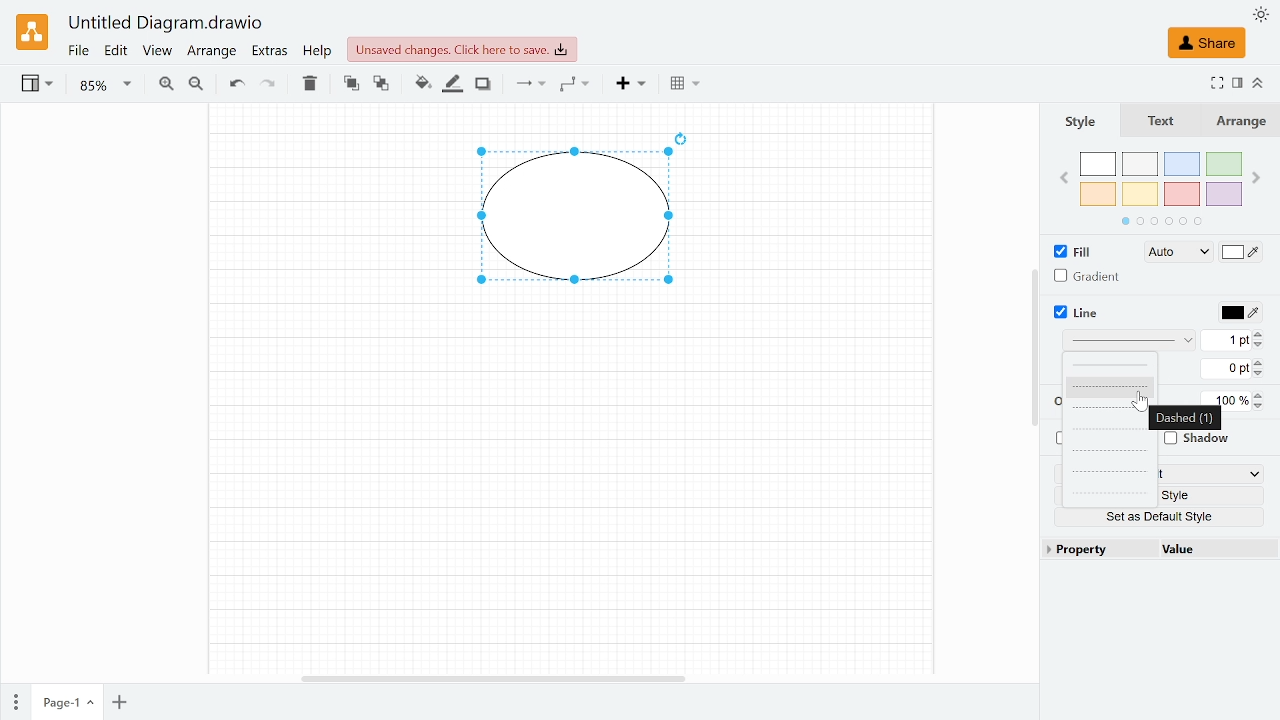 The width and height of the screenshot is (1280, 720). What do you see at coordinates (1032, 349) in the screenshot?
I see `scroll bar` at bounding box center [1032, 349].